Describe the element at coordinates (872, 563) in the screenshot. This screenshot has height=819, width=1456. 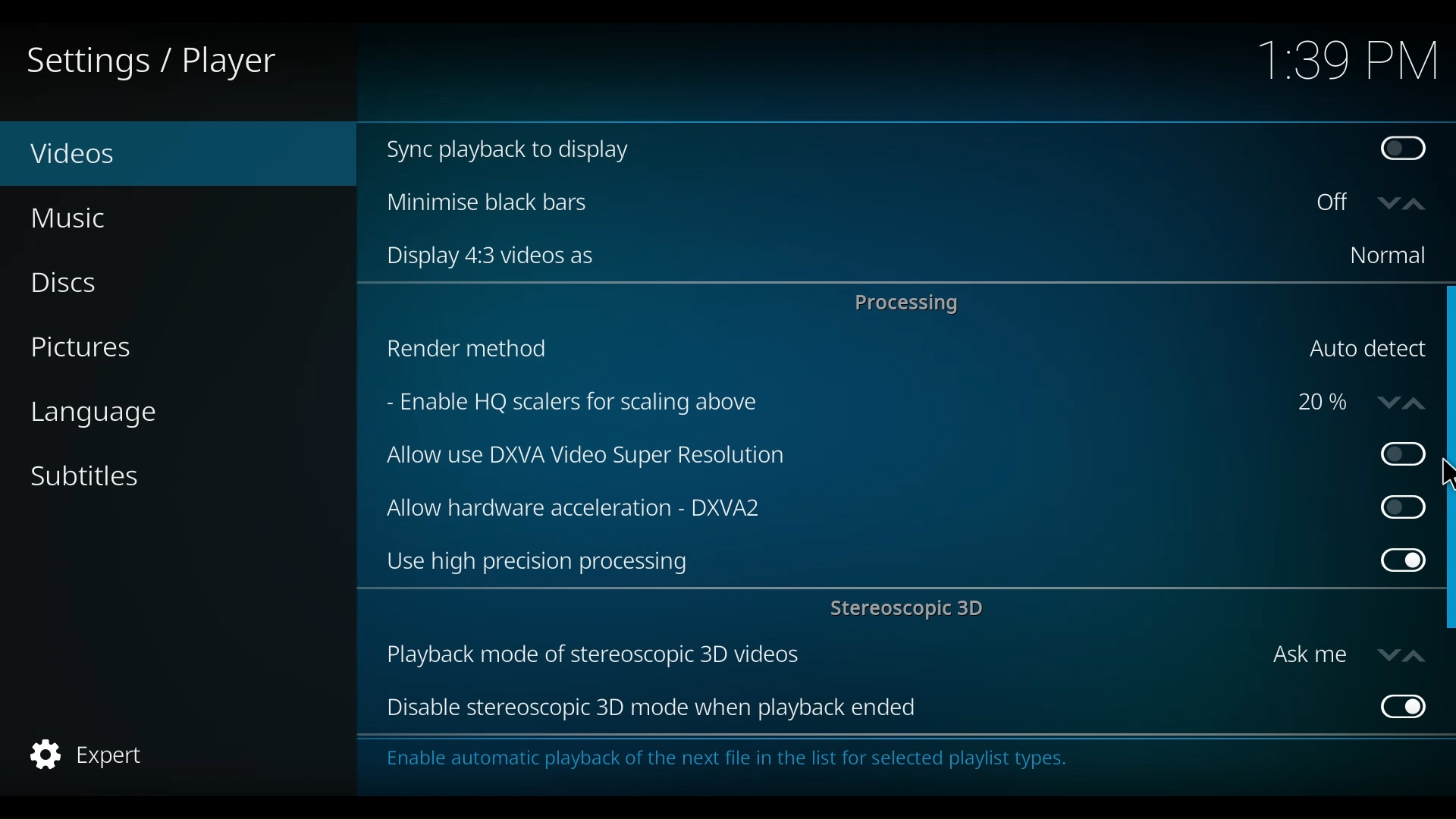
I see `Use high precision proessing` at that location.